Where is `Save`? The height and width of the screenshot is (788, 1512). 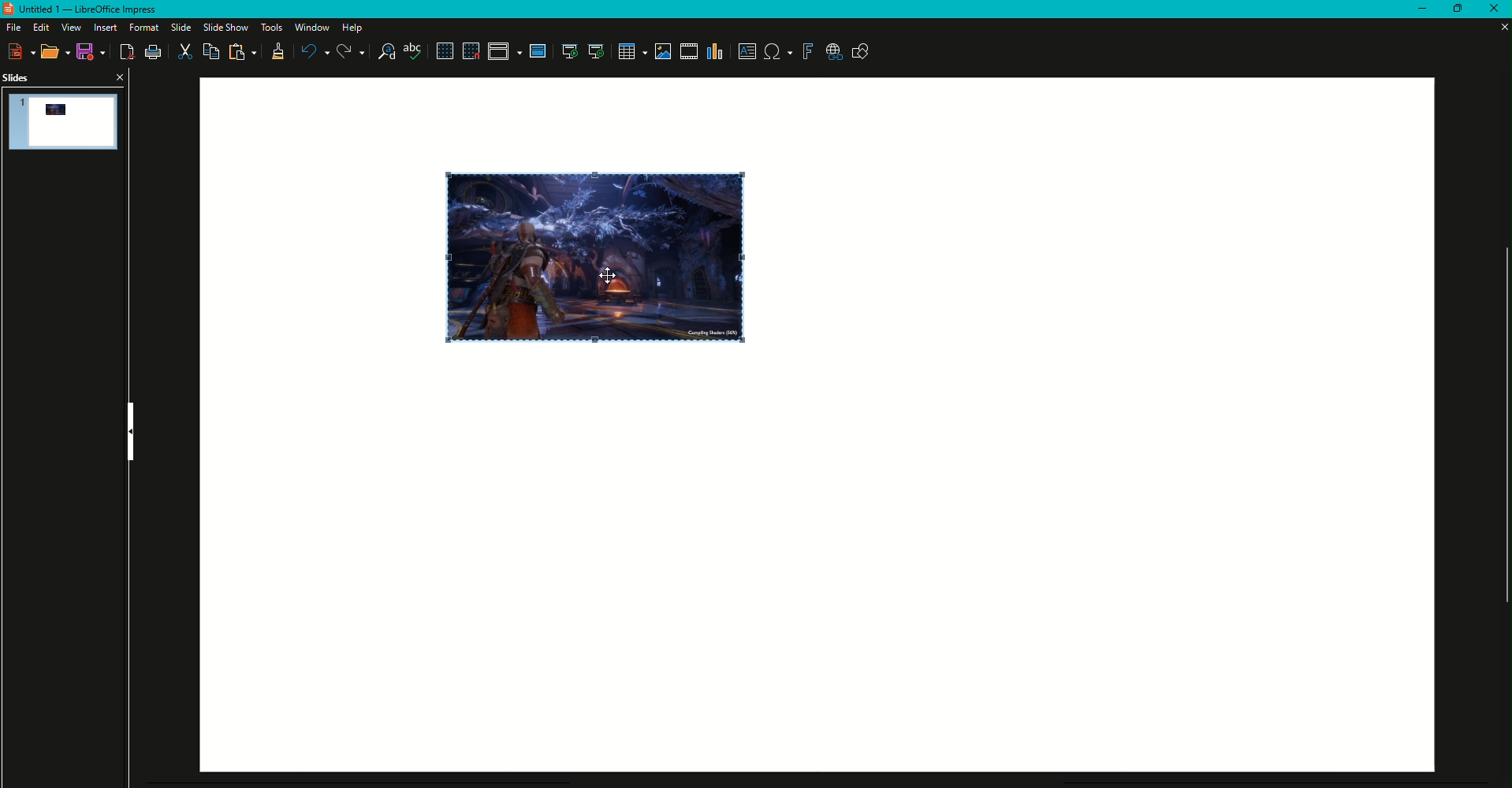 Save is located at coordinates (93, 52).